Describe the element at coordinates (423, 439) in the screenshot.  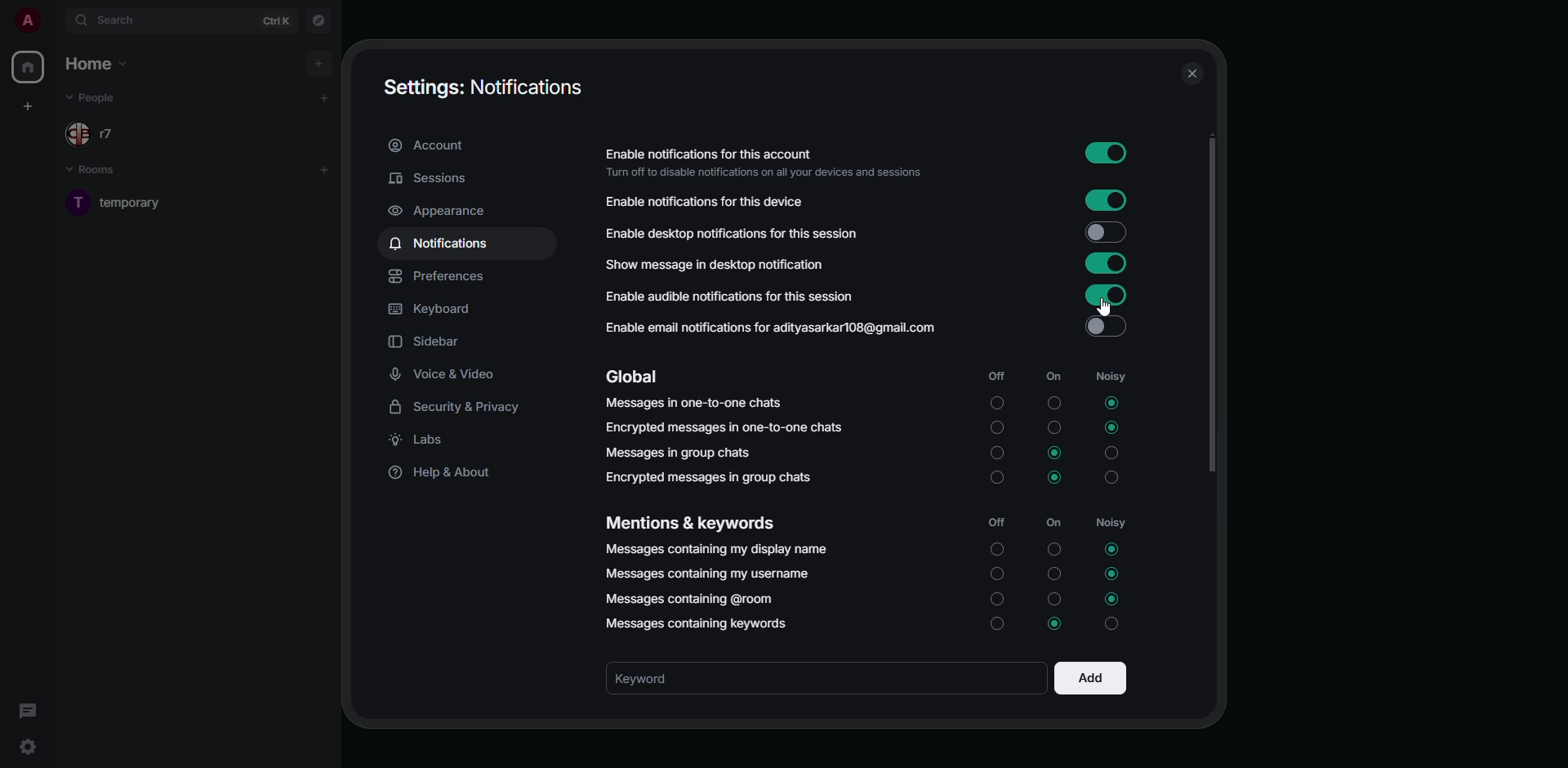
I see `labs` at that location.